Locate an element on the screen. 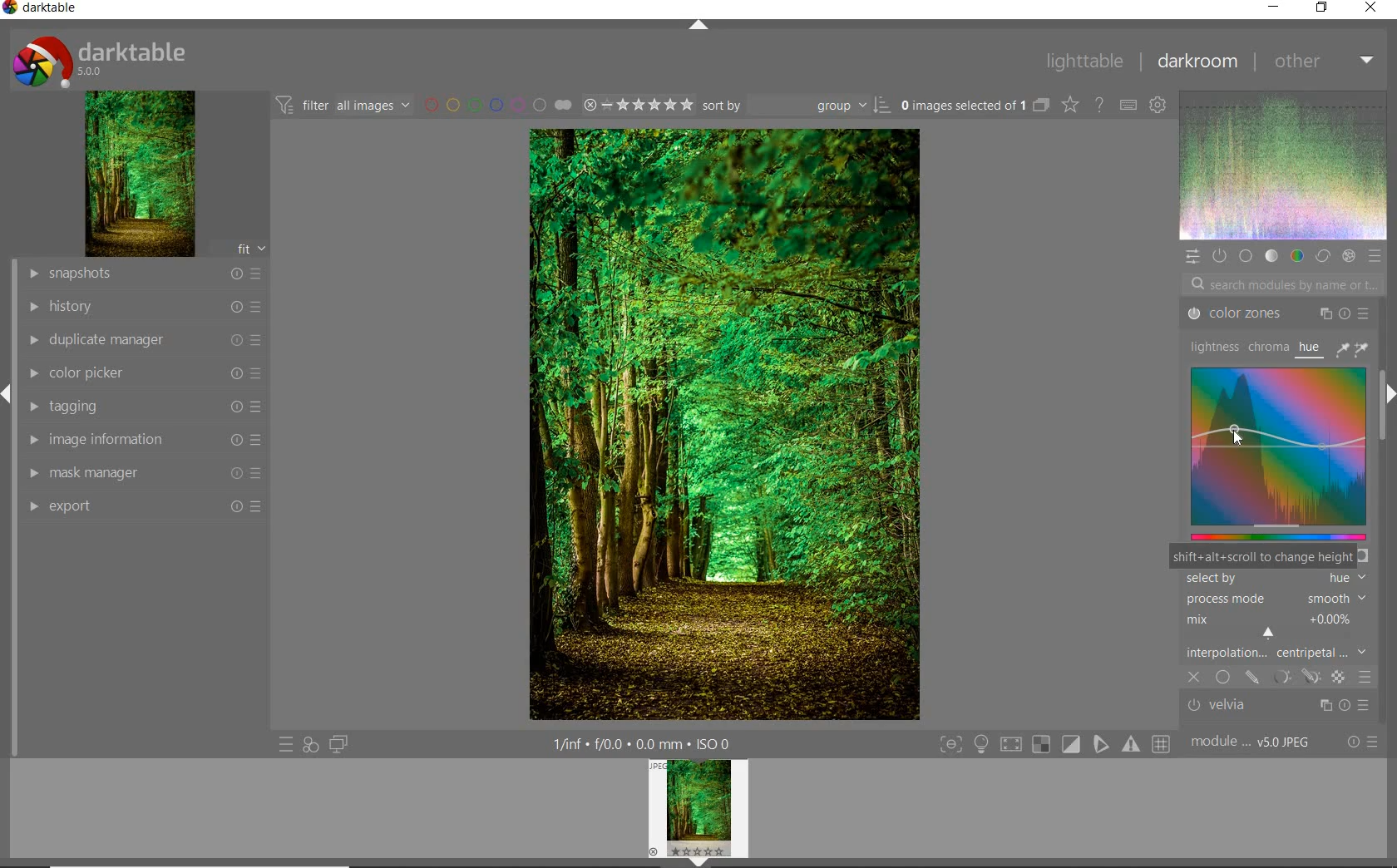 This screenshot has width=1397, height=868. velvia is located at coordinates (1281, 707).